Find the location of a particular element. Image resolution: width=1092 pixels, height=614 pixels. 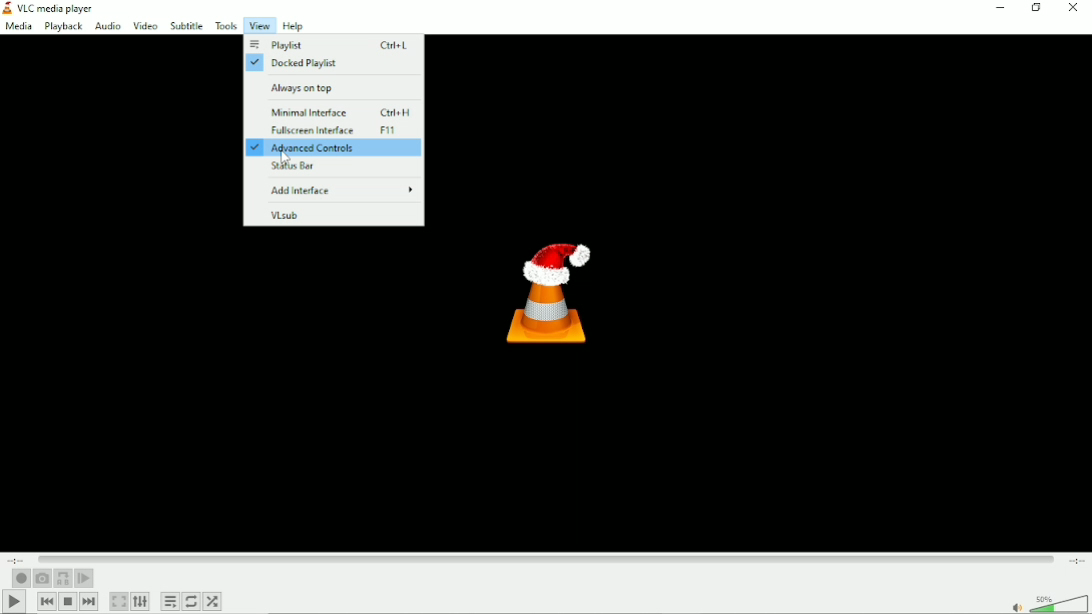

Status bar is located at coordinates (293, 167).